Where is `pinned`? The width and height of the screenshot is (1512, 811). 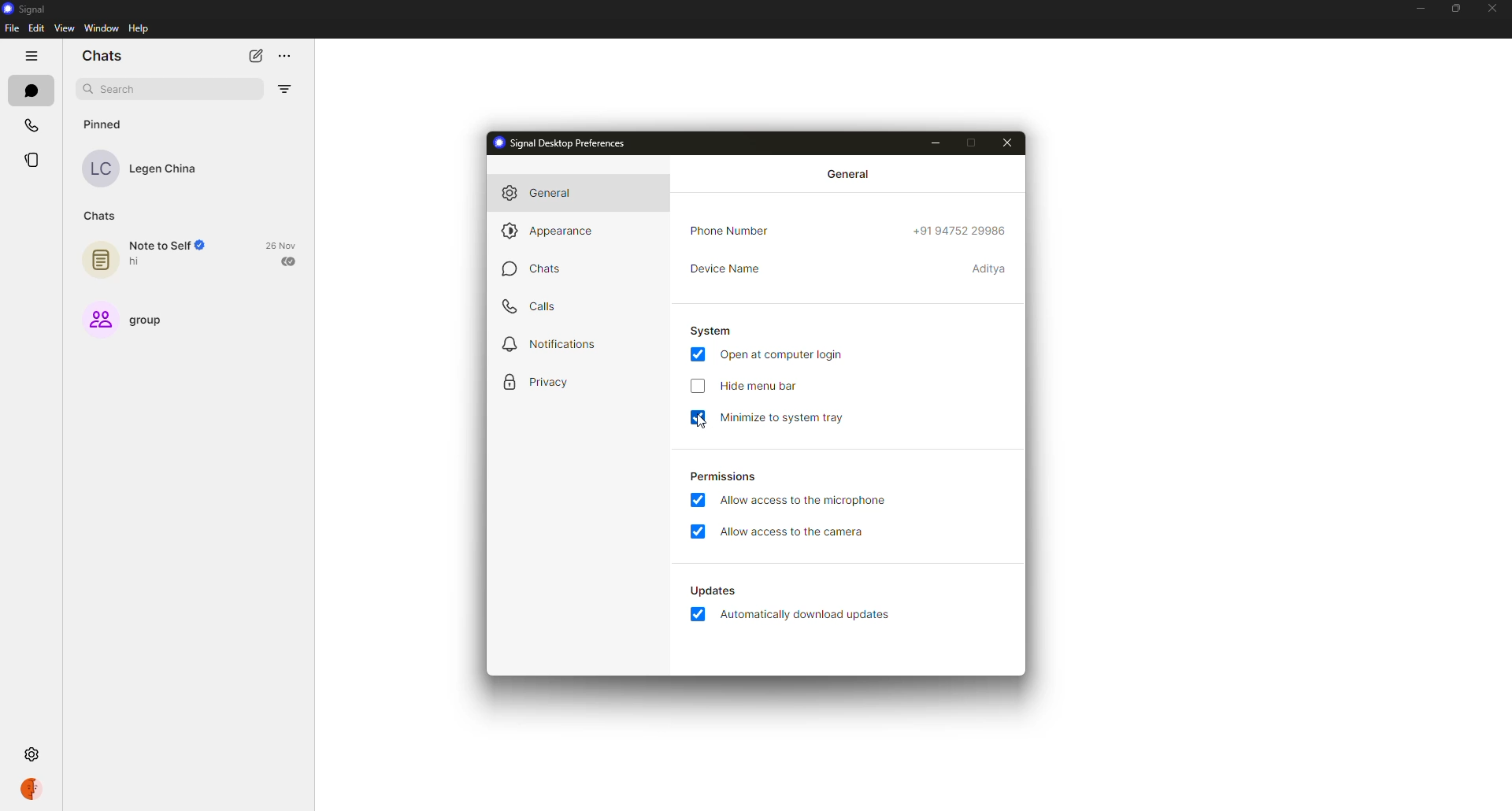
pinned is located at coordinates (106, 124).